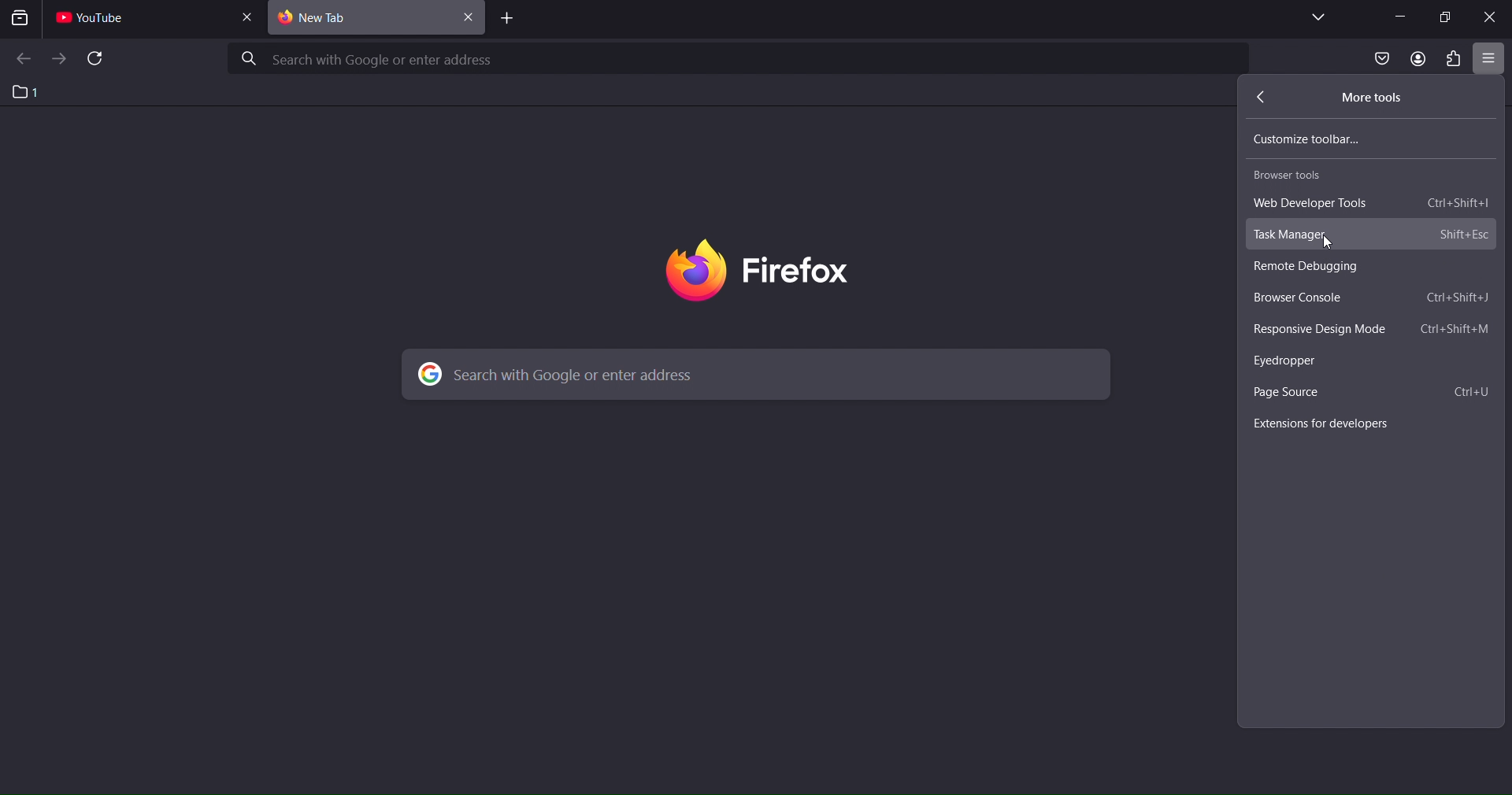 This screenshot has width=1512, height=795. I want to click on web developer tools, so click(1325, 201).